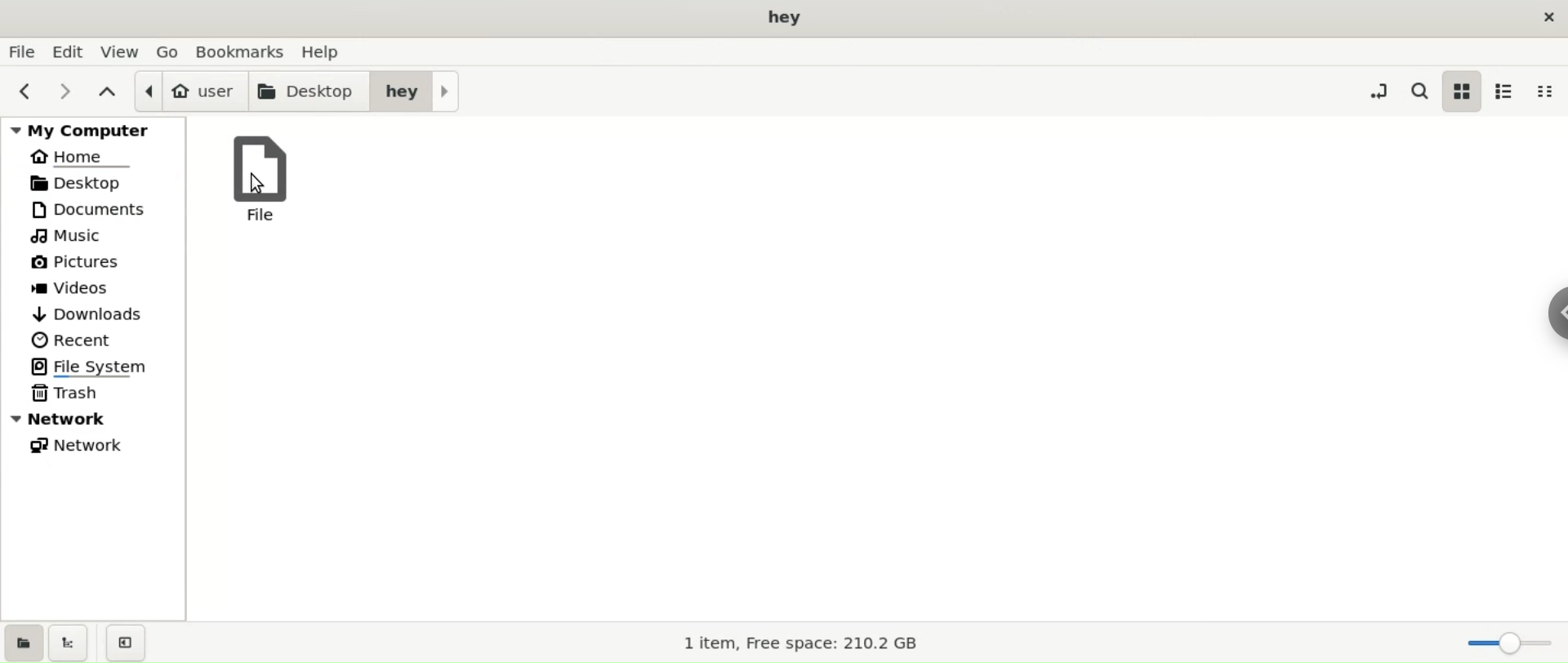 Image resolution: width=1568 pixels, height=663 pixels. Describe the element at coordinates (1417, 91) in the screenshot. I see `search` at that location.